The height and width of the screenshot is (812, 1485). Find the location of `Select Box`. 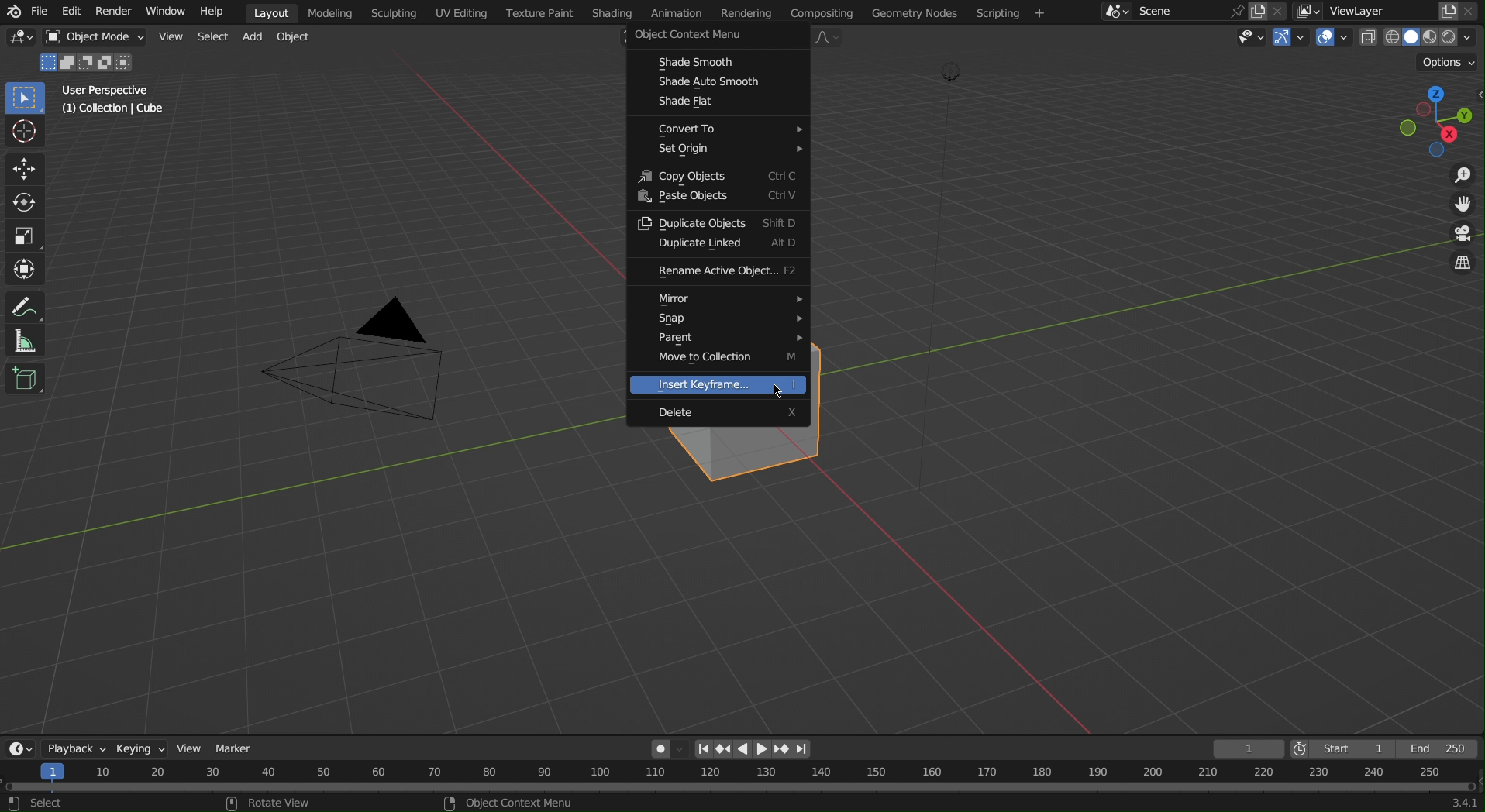

Select Box is located at coordinates (25, 98).